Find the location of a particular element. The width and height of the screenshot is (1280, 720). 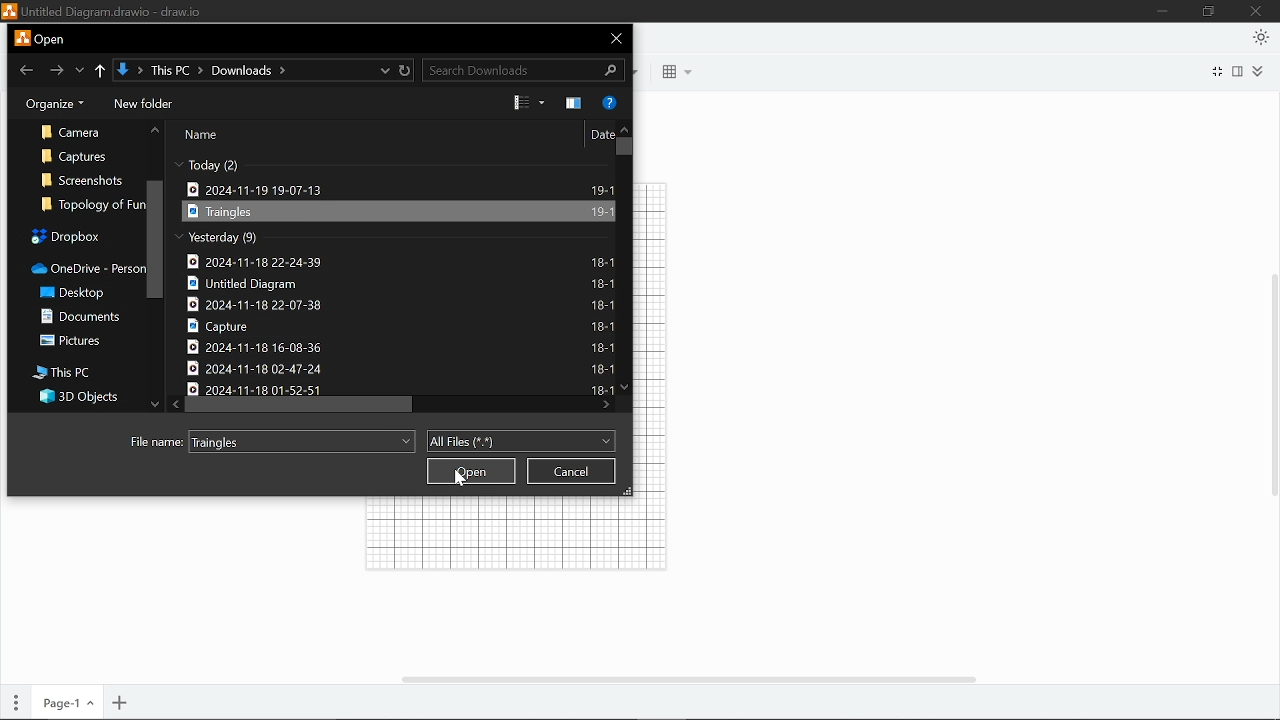

pages is located at coordinates (11, 704).